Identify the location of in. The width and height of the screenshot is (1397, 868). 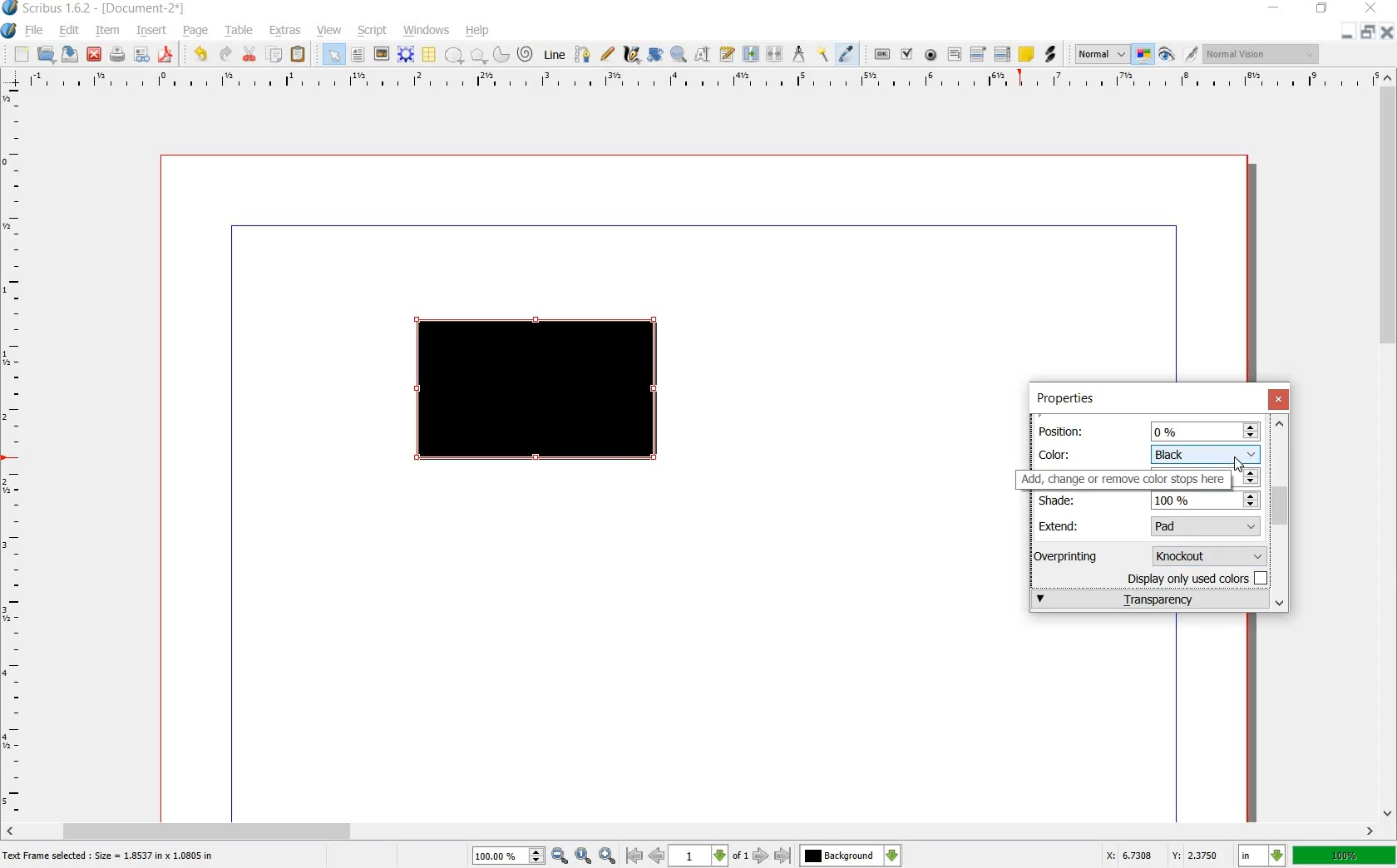
(1263, 856).